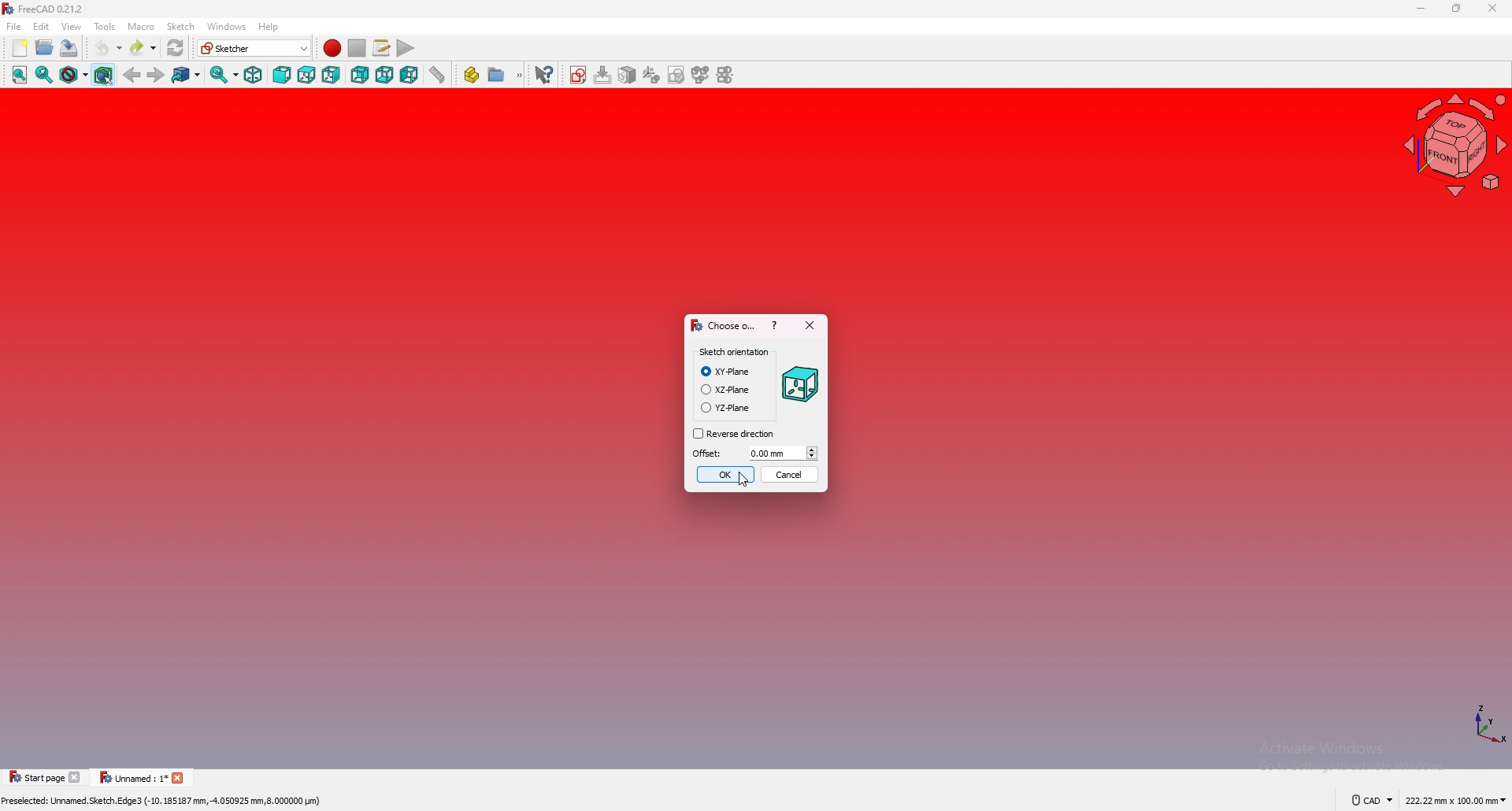 The width and height of the screenshot is (1512, 811). Describe the element at coordinates (41, 26) in the screenshot. I see `edit` at that location.